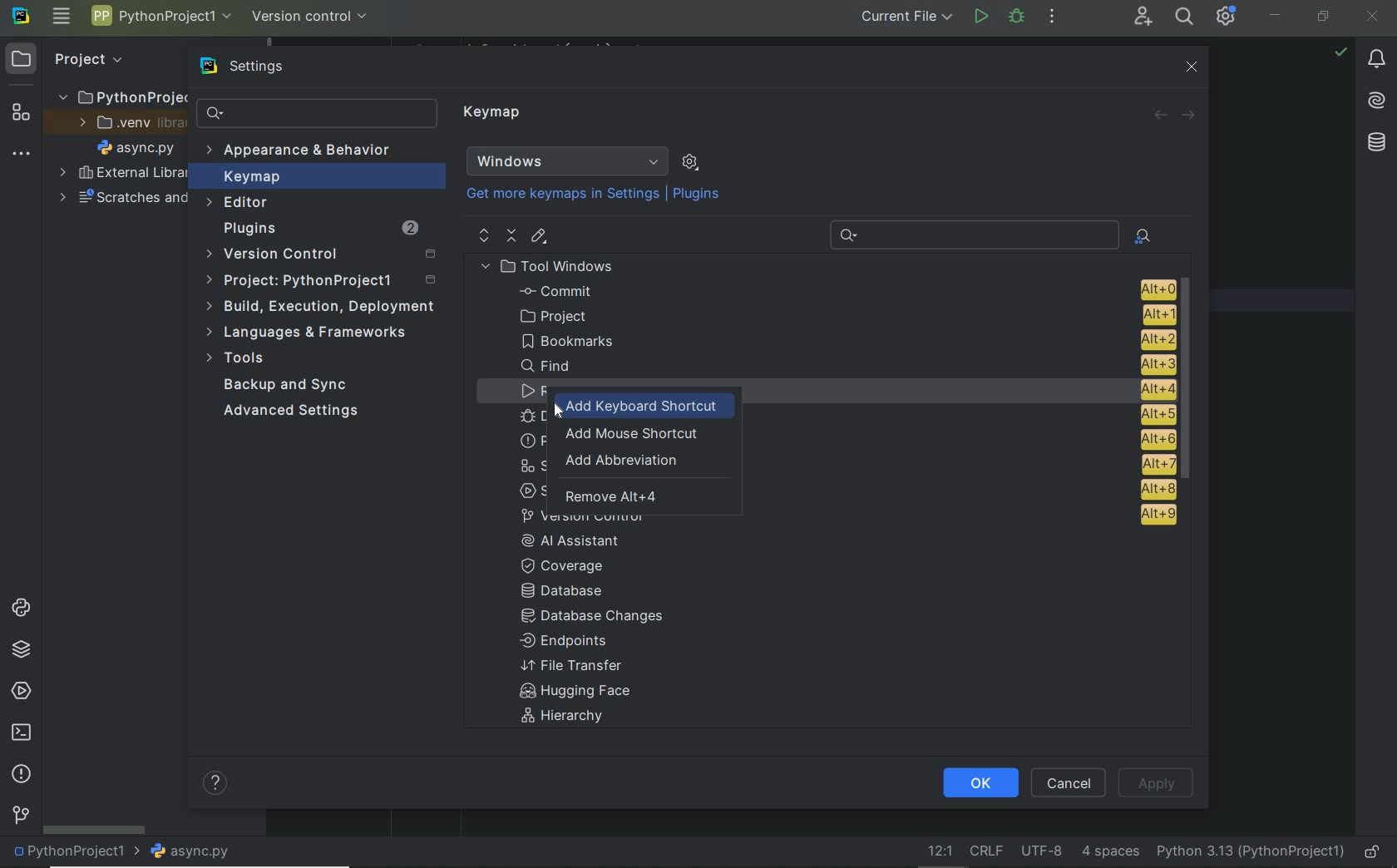 Image resolution: width=1397 pixels, height=868 pixels. I want to click on current file, so click(901, 18).